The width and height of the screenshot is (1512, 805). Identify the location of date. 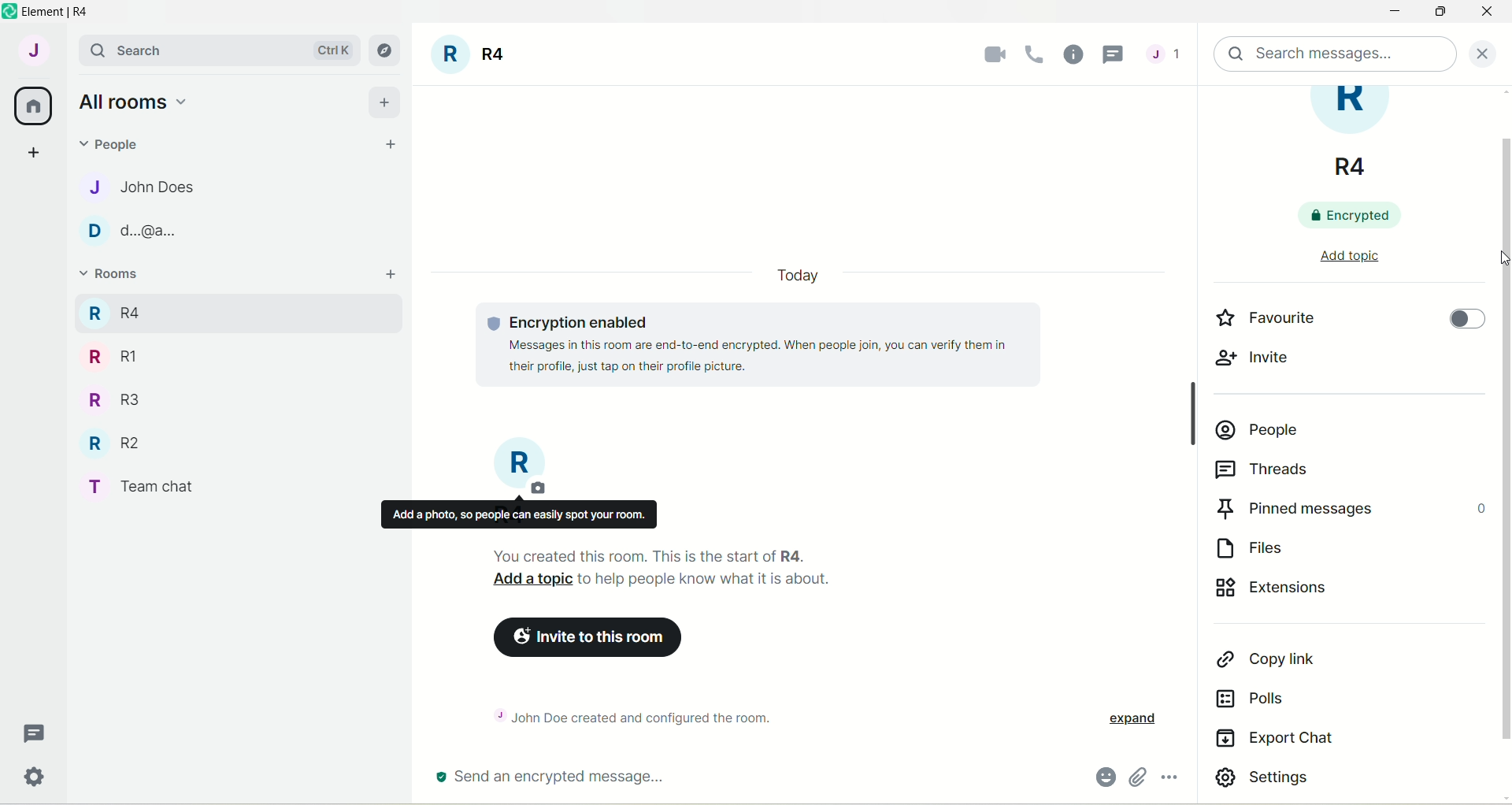
(797, 276).